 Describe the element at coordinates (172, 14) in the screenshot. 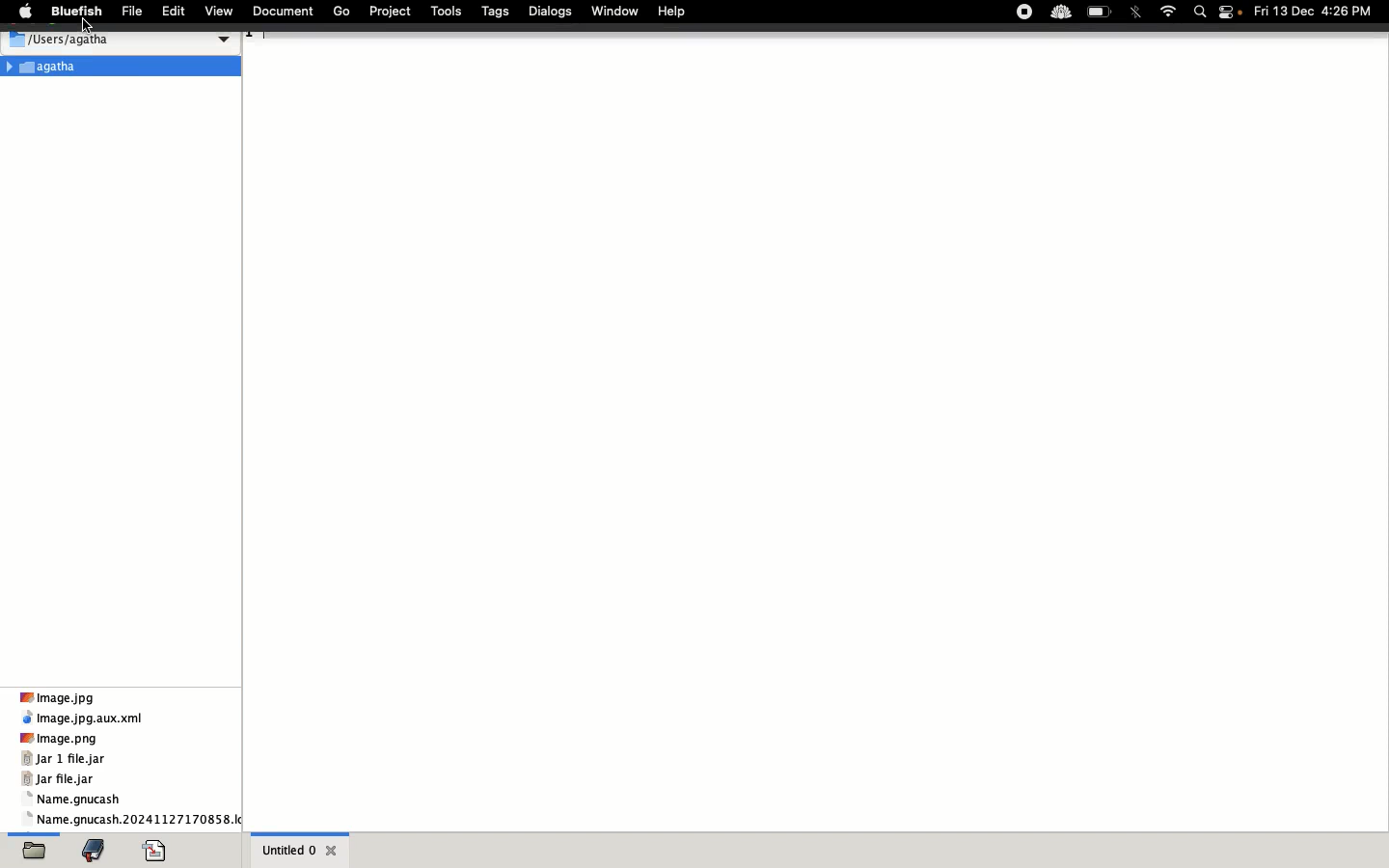

I see `Edit` at that location.